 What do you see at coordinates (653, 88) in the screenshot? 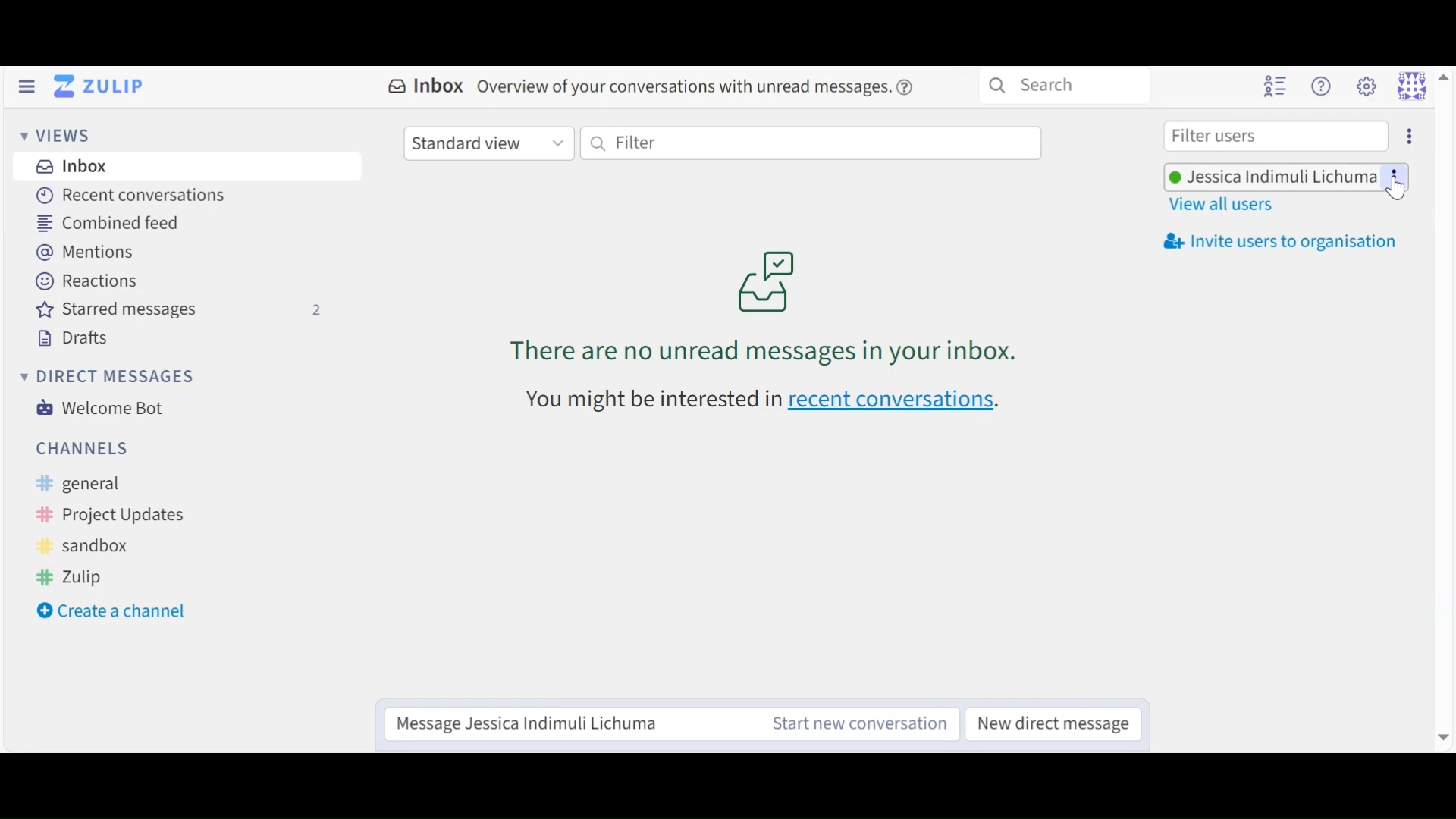
I see `Inbox` at bounding box center [653, 88].